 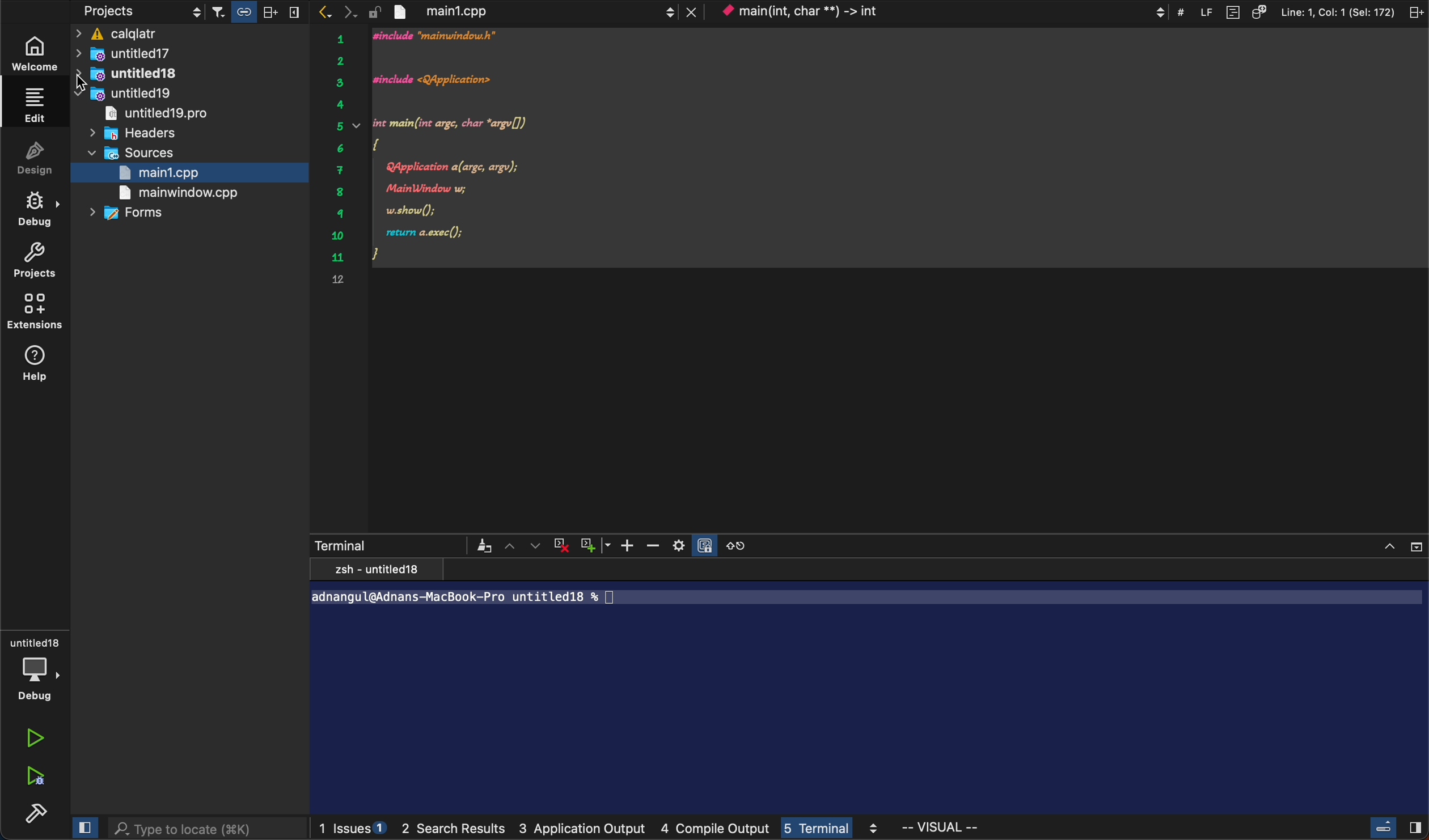 I want to click on close, so click(x=1379, y=545).